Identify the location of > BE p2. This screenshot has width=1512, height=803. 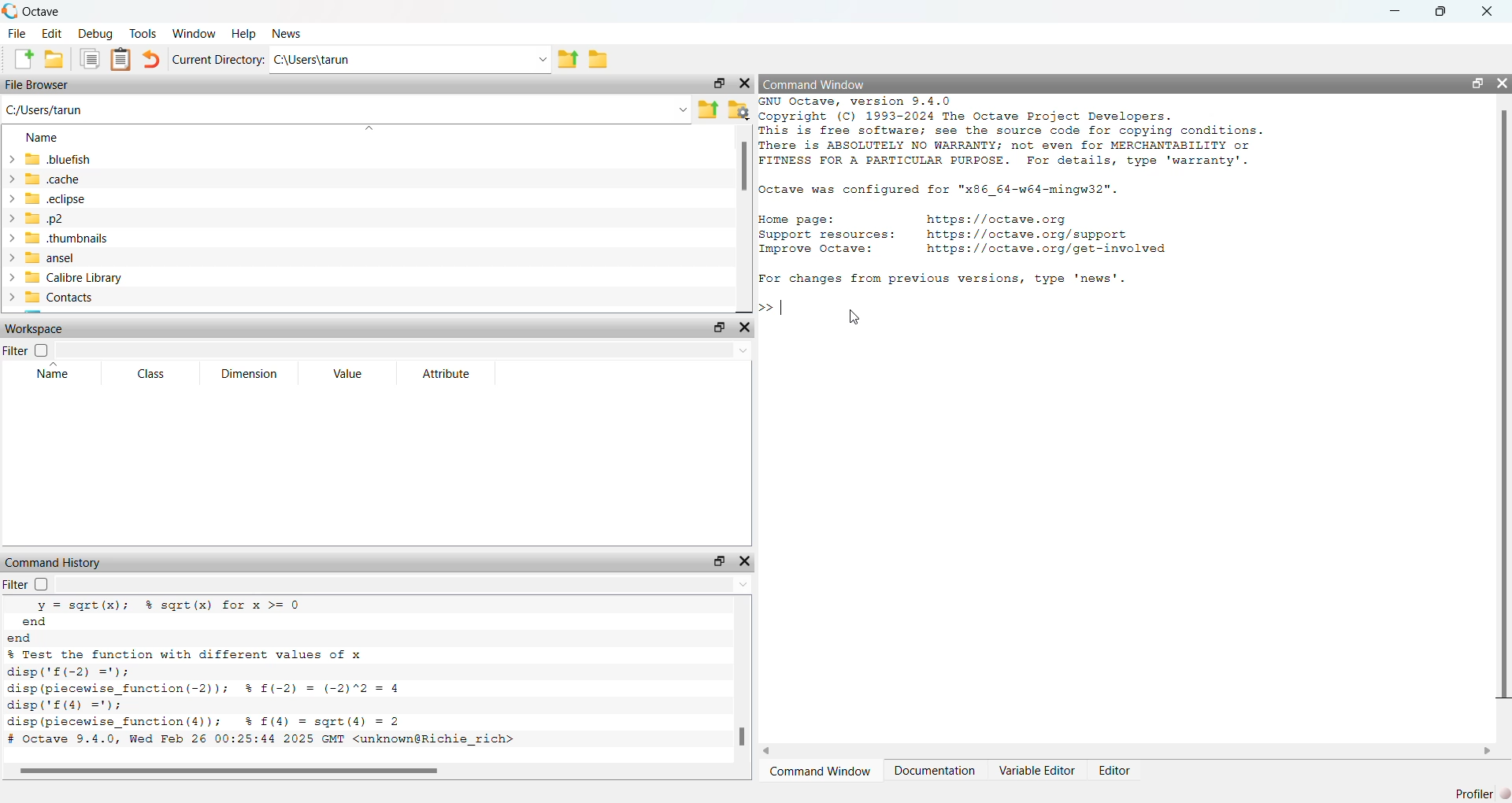
(40, 219).